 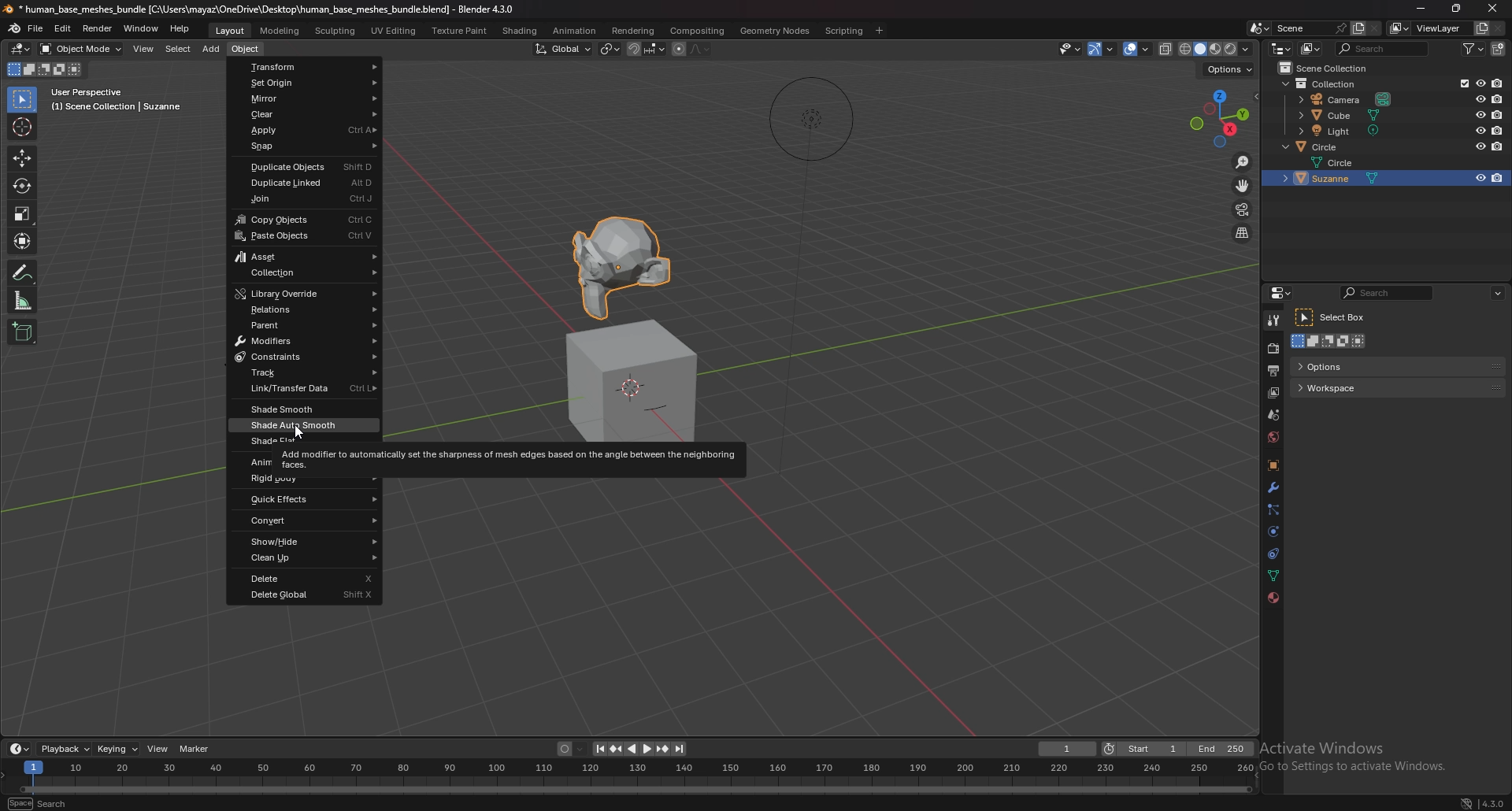 I want to click on suzanne, so click(x=1352, y=179).